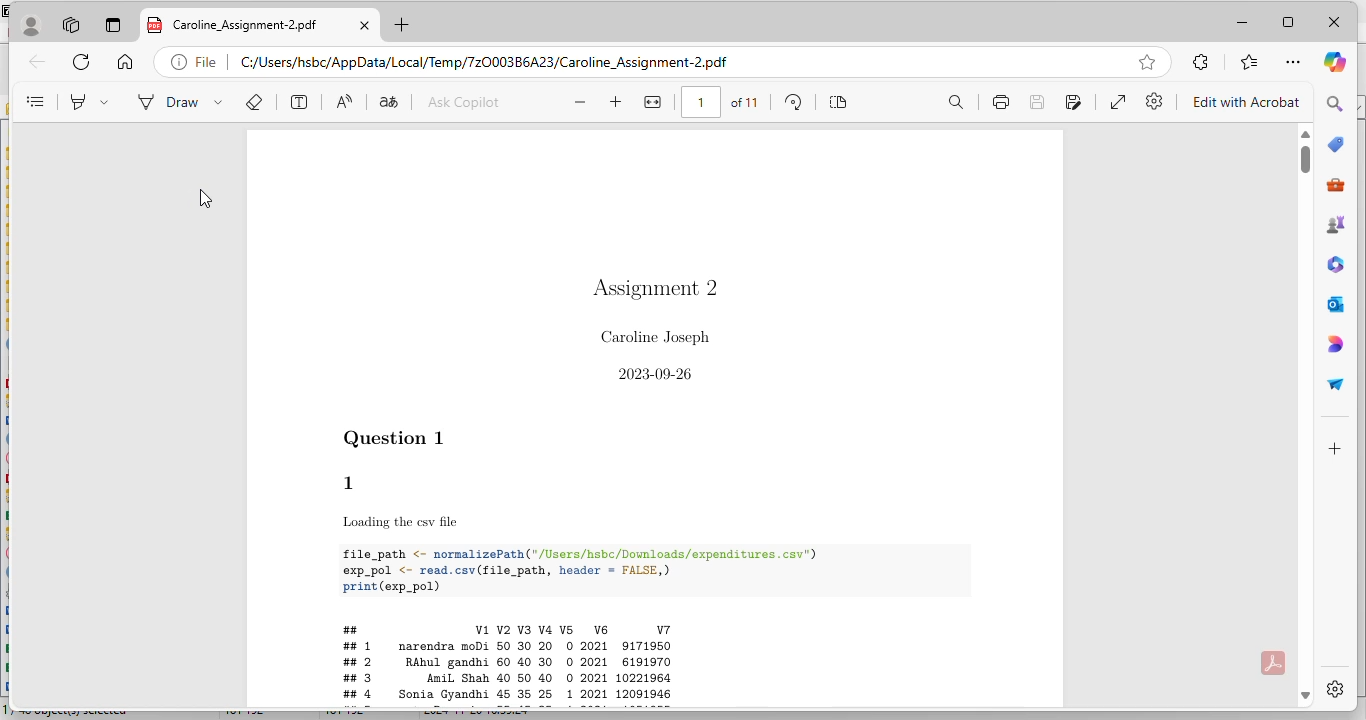  What do you see at coordinates (1338, 264) in the screenshot?
I see `microsoft 365` at bounding box center [1338, 264].